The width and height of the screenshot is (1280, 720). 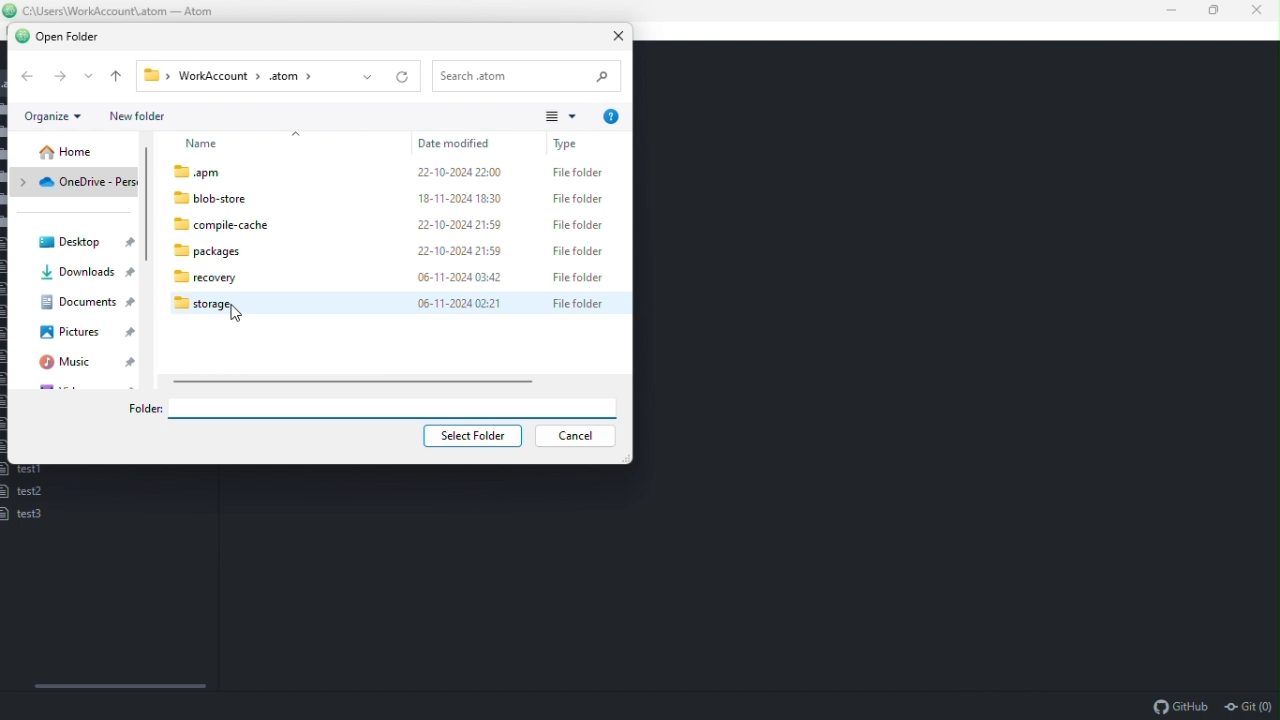 I want to click on Minimise, so click(x=1177, y=9).